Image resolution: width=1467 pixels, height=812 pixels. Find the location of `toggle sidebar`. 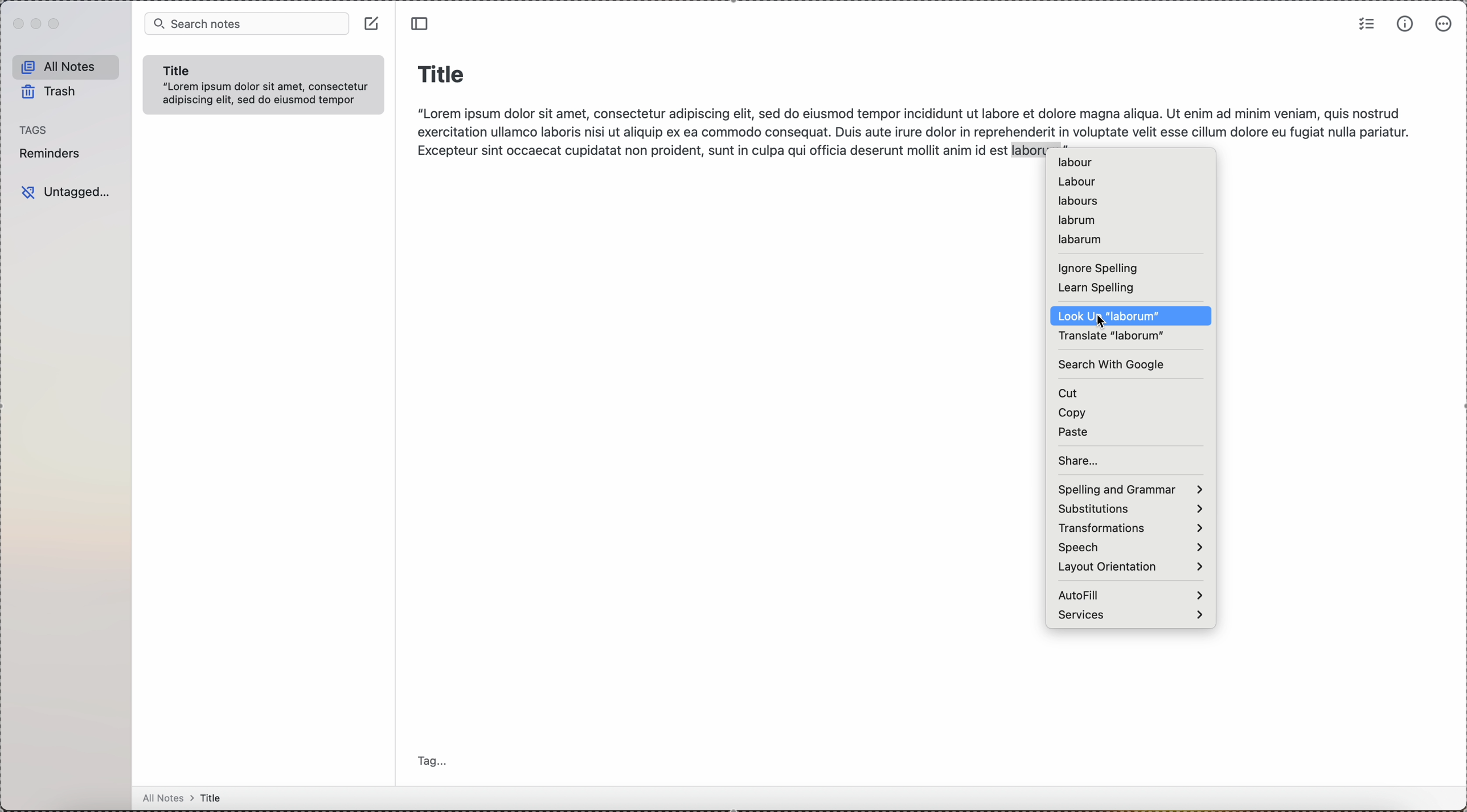

toggle sidebar is located at coordinates (423, 23).